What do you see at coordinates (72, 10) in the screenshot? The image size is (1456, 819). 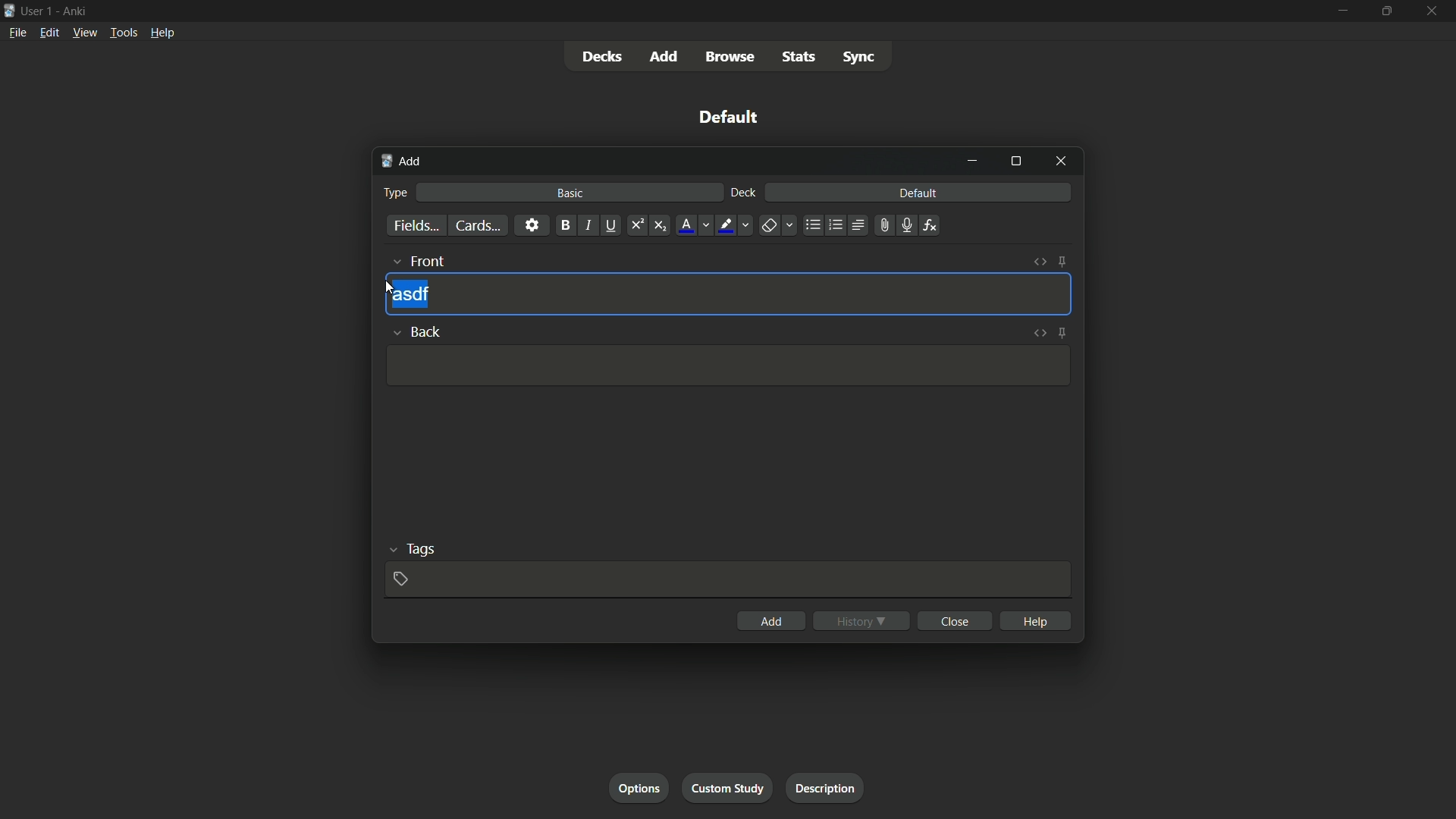 I see `Ankri` at bounding box center [72, 10].